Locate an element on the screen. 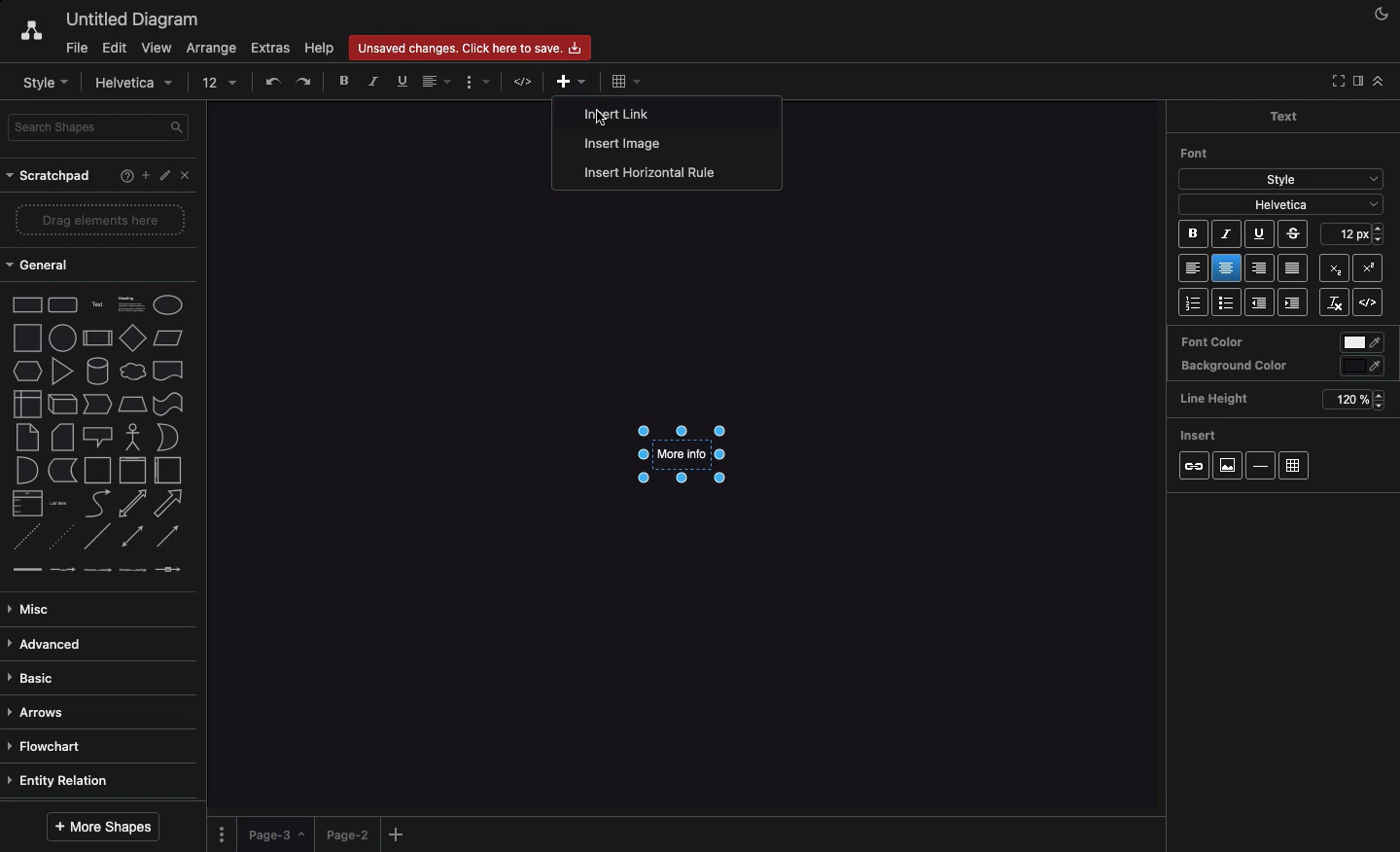 The width and height of the screenshot is (1400, 852). Justified is located at coordinates (1294, 269).